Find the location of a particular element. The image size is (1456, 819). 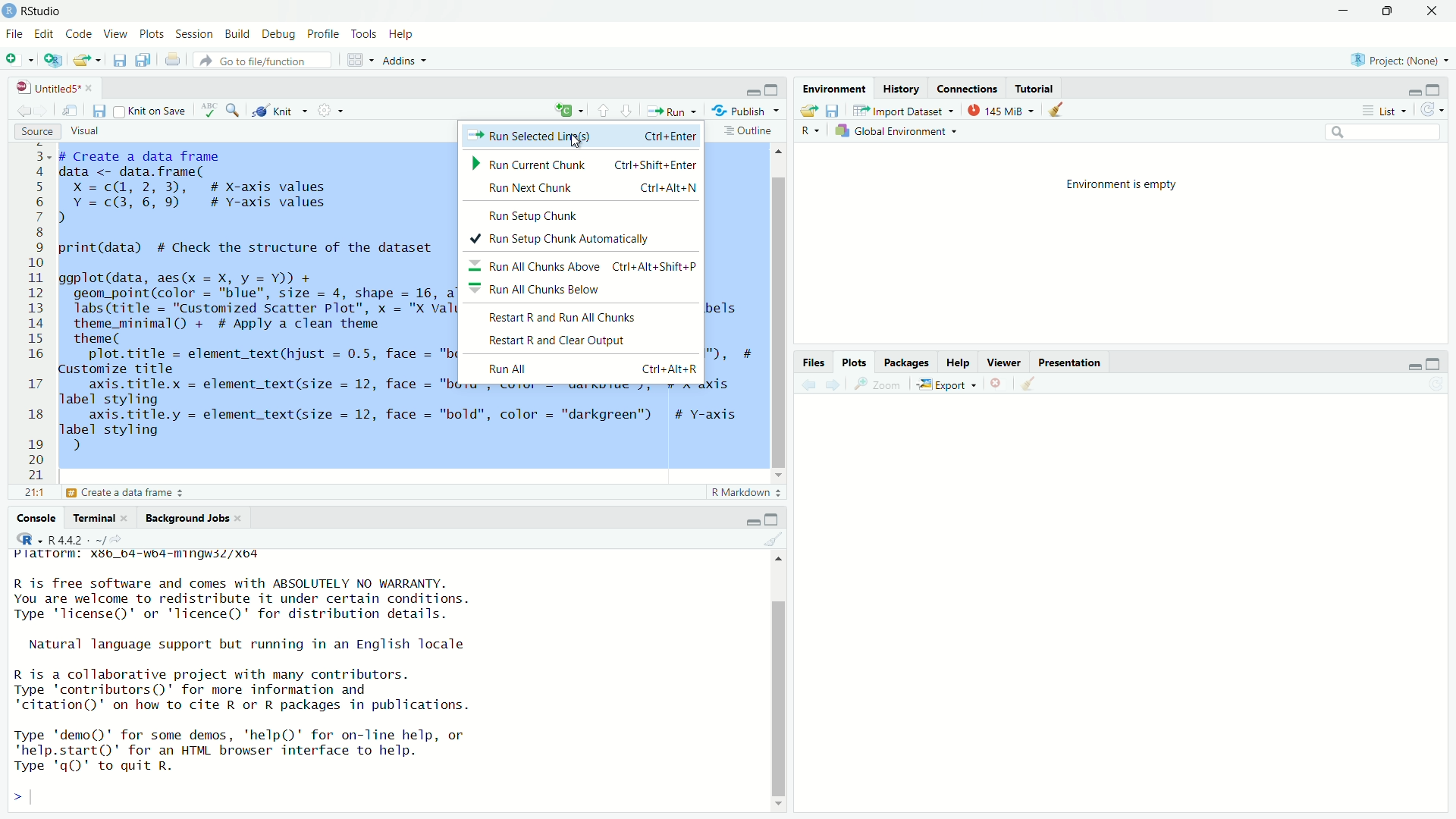

Go to the previous section/chunk is located at coordinates (604, 111).